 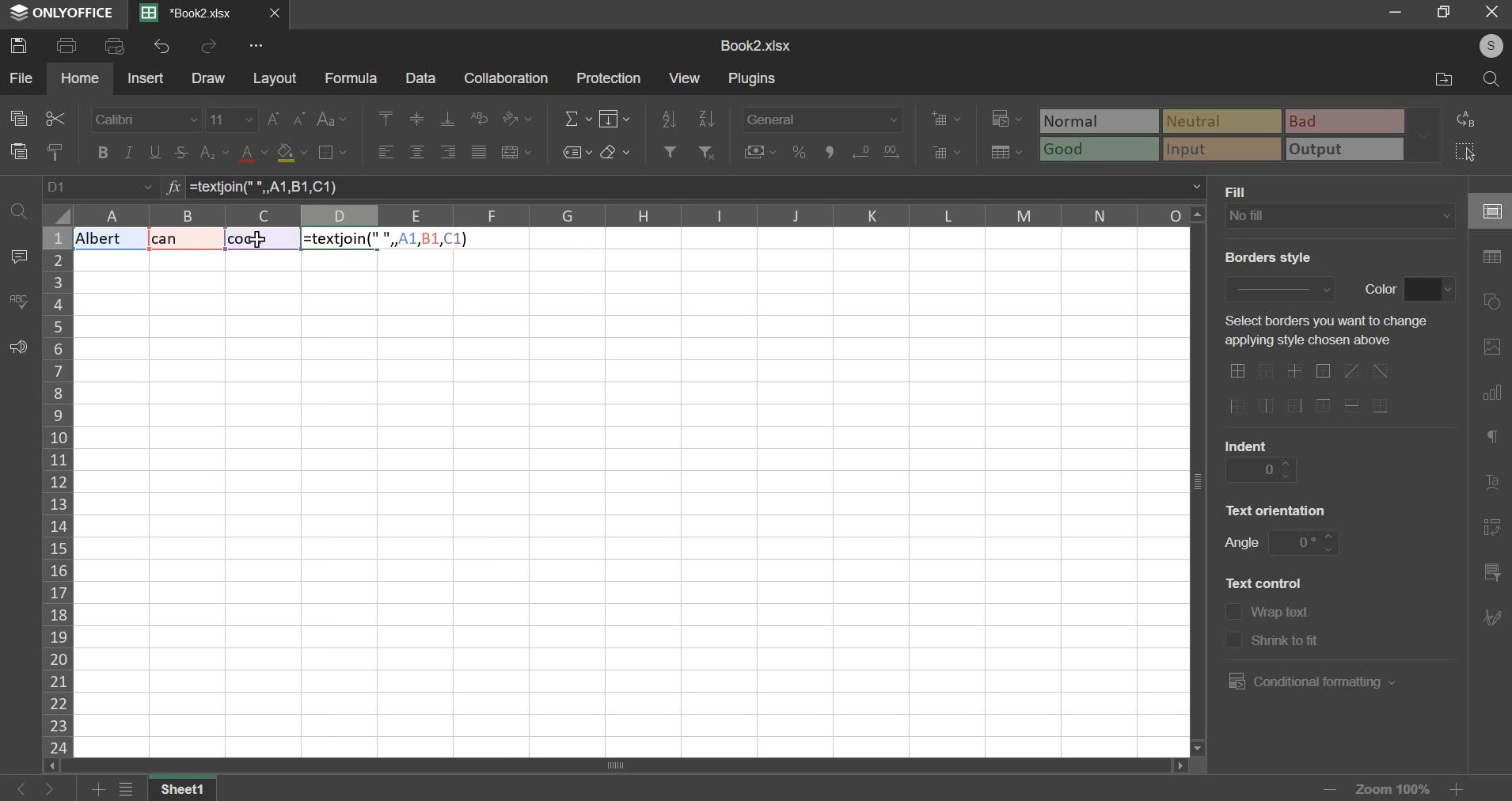 What do you see at coordinates (1241, 191) in the screenshot?
I see `text` at bounding box center [1241, 191].